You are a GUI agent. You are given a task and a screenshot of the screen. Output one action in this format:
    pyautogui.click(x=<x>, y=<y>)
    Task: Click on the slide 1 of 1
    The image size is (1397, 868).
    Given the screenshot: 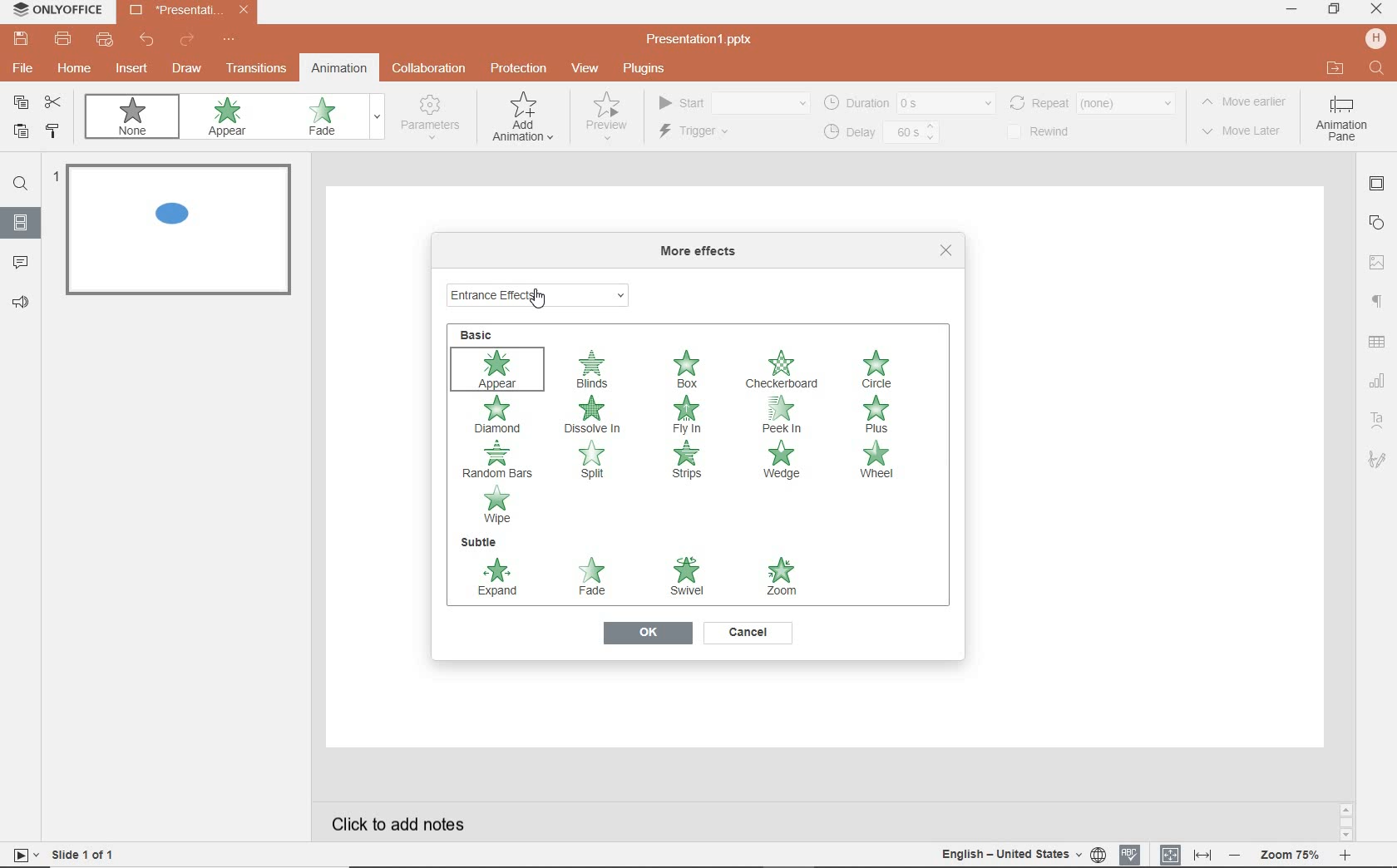 What is the action you would take?
    pyautogui.click(x=87, y=857)
    